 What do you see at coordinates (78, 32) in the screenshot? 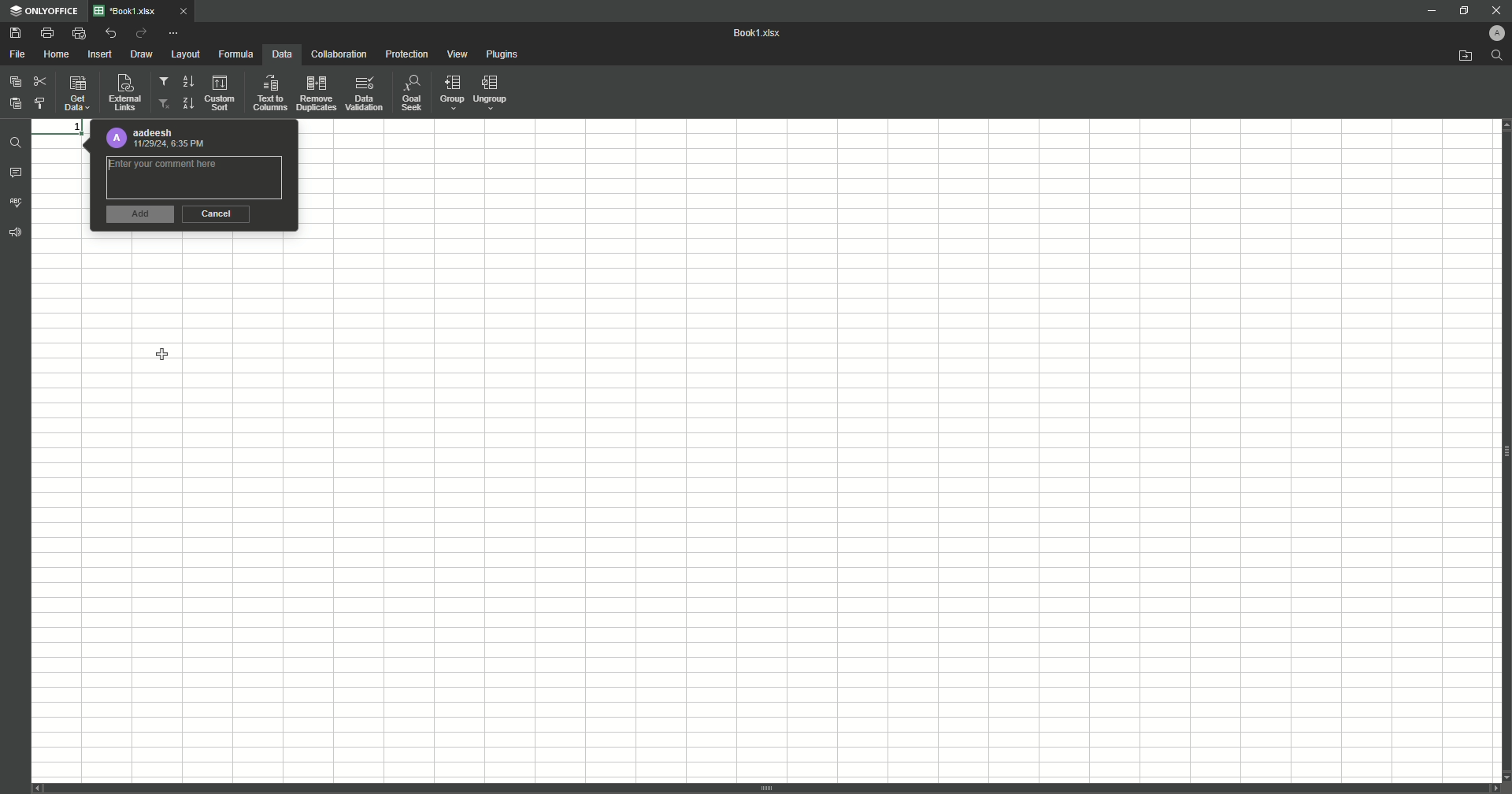
I see `Quick Print` at bounding box center [78, 32].